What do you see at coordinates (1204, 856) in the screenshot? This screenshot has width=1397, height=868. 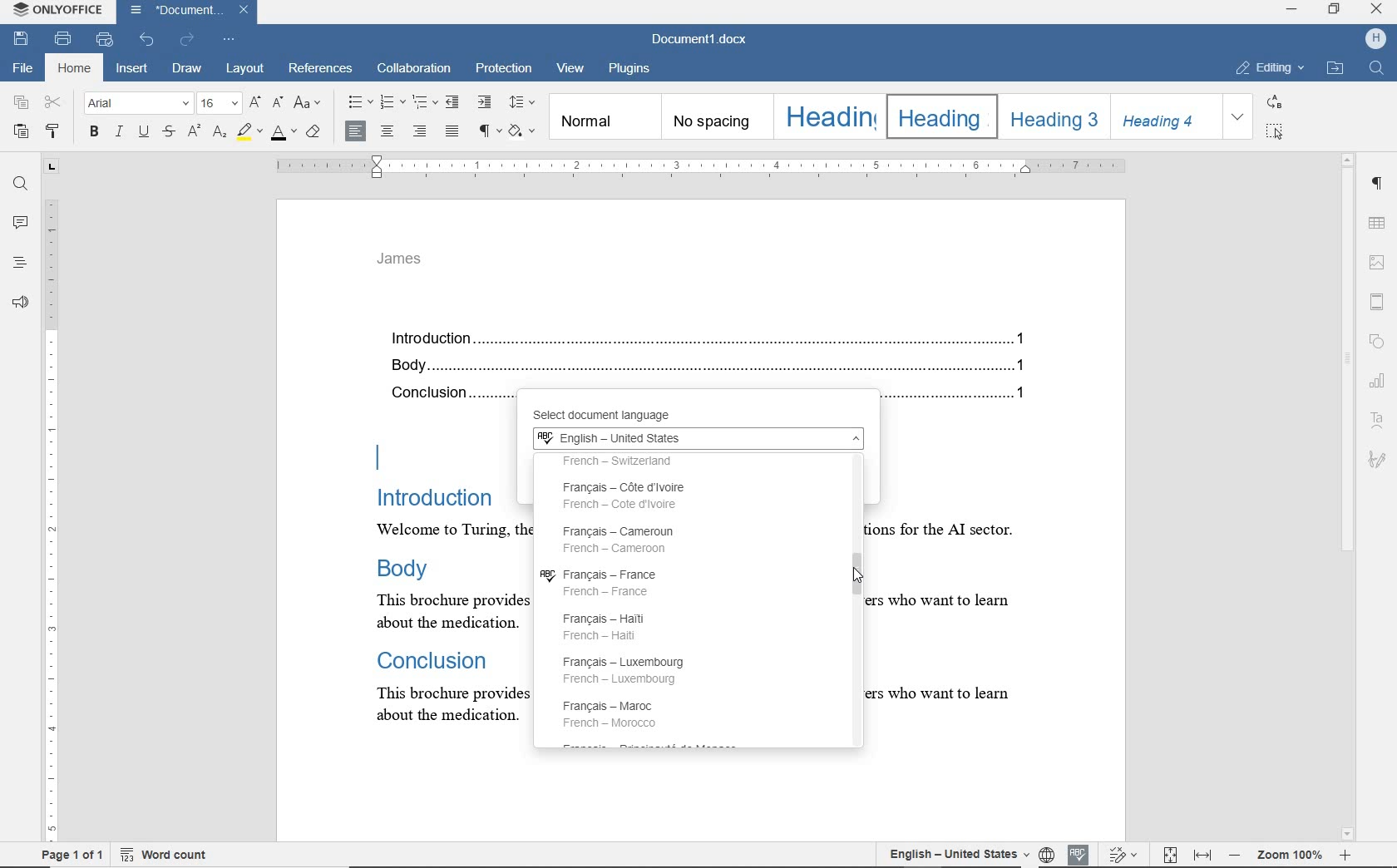 I see `fit to width` at bounding box center [1204, 856].